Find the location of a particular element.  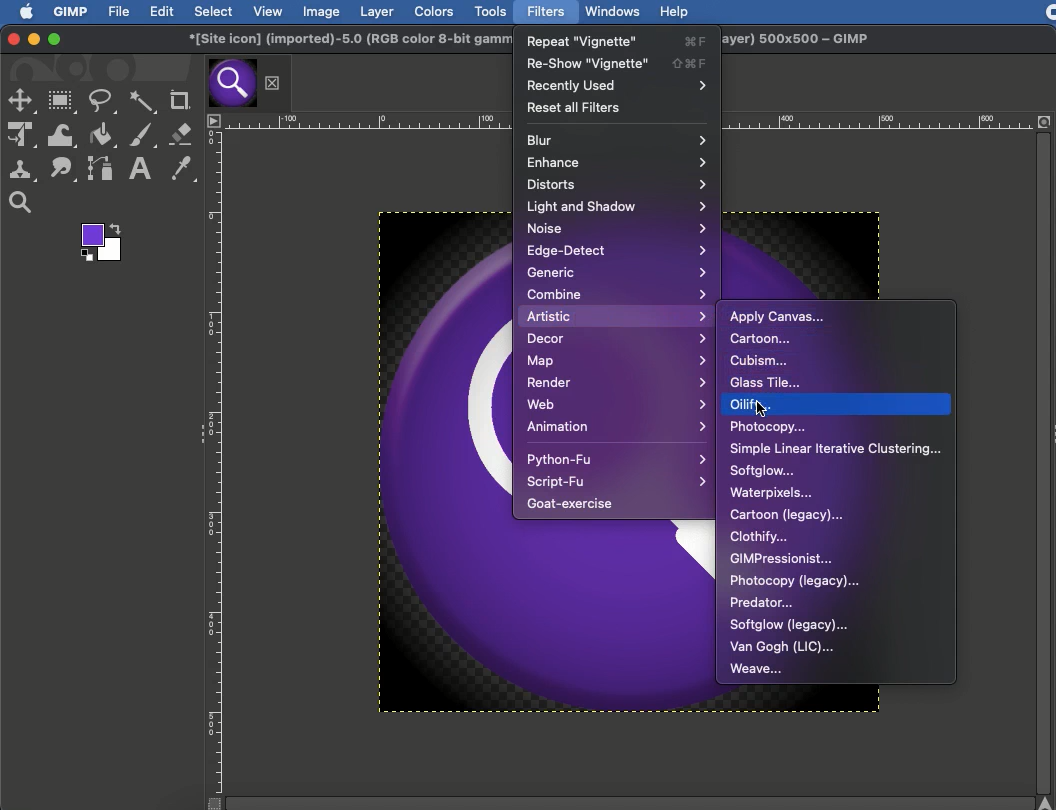

File is located at coordinates (120, 12).